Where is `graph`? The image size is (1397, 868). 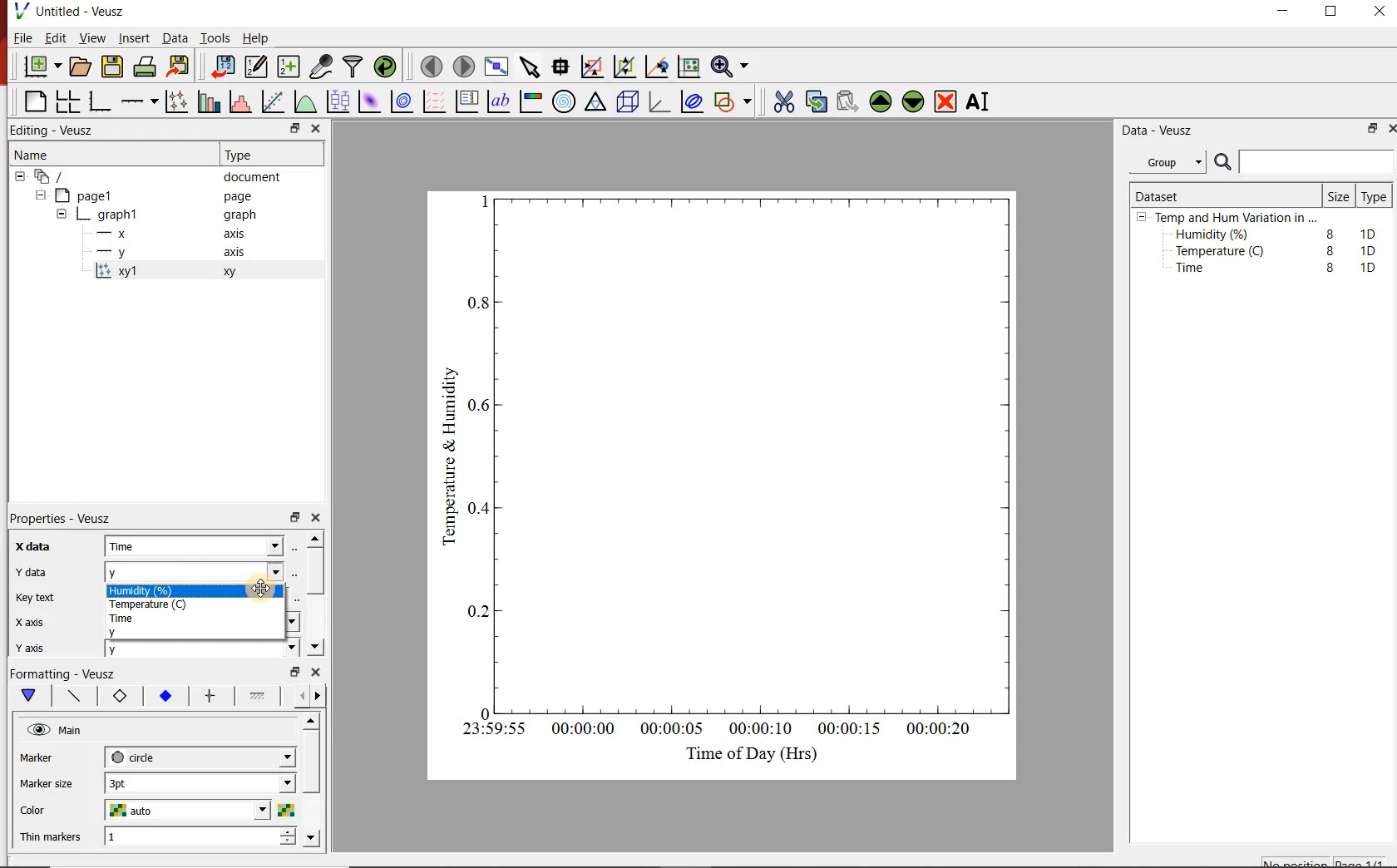
graph is located at coordinates (239, 216).